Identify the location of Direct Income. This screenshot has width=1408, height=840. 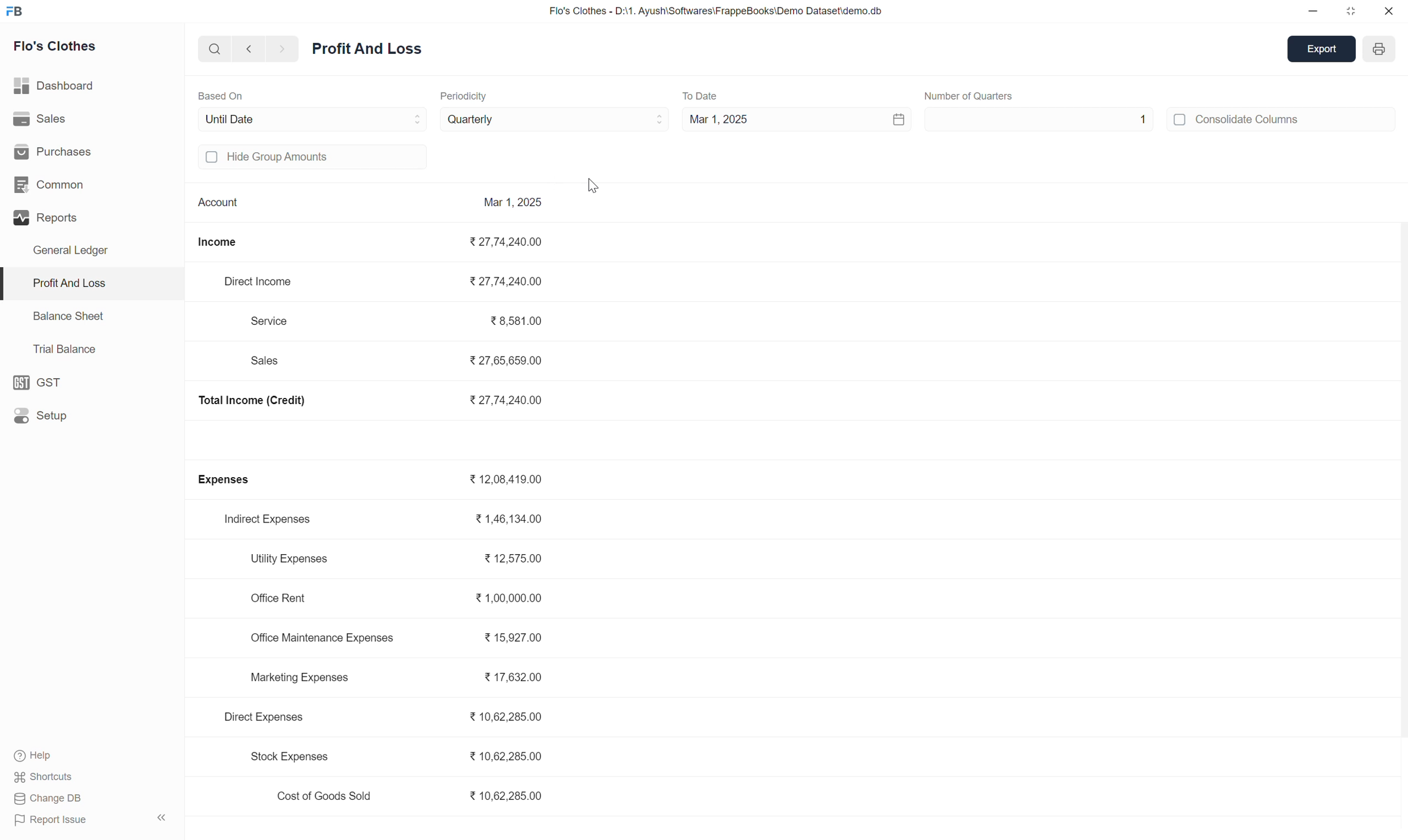
(262, 281).